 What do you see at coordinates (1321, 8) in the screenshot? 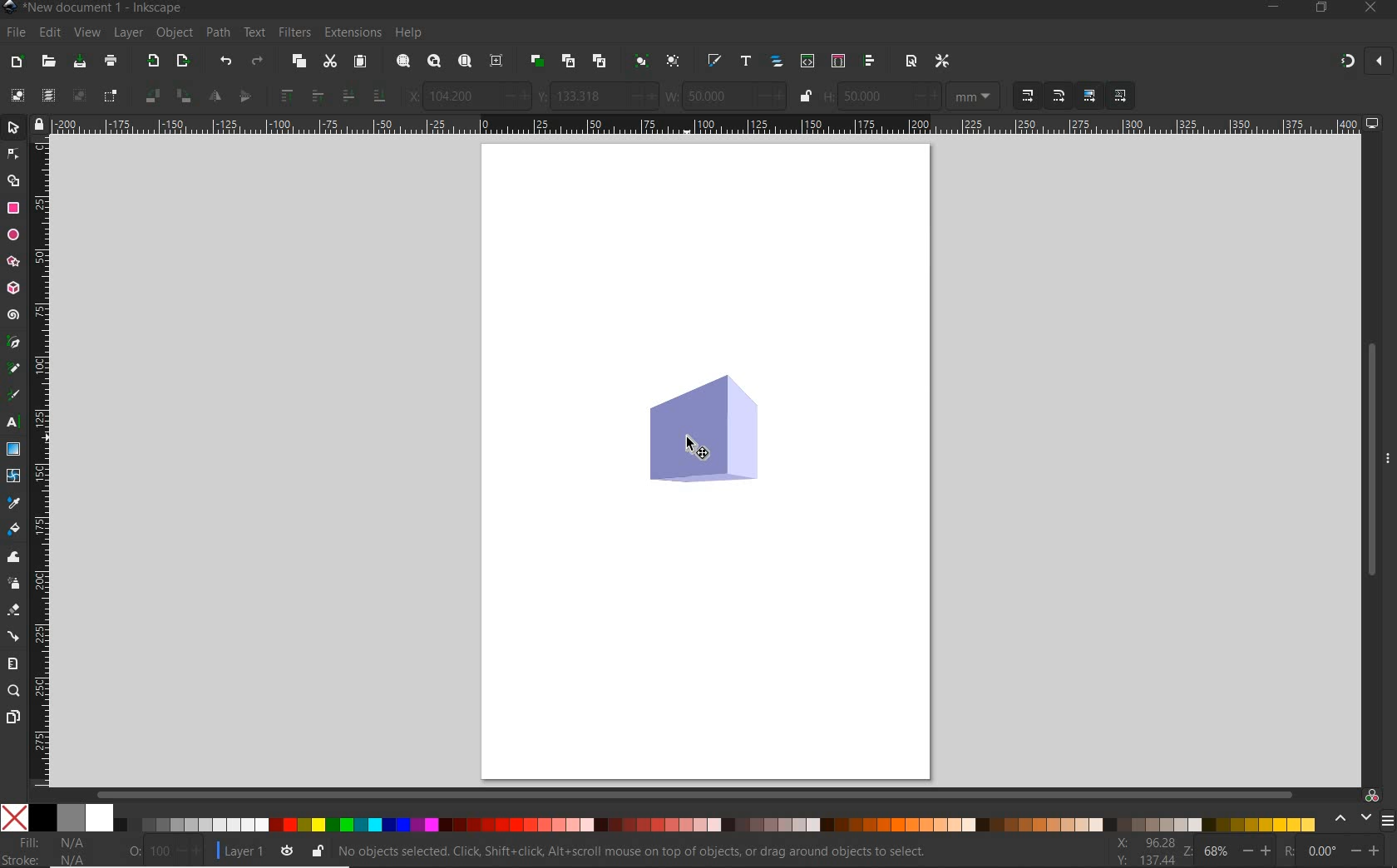
I see `restore down` at bounding box center [1321, 8].